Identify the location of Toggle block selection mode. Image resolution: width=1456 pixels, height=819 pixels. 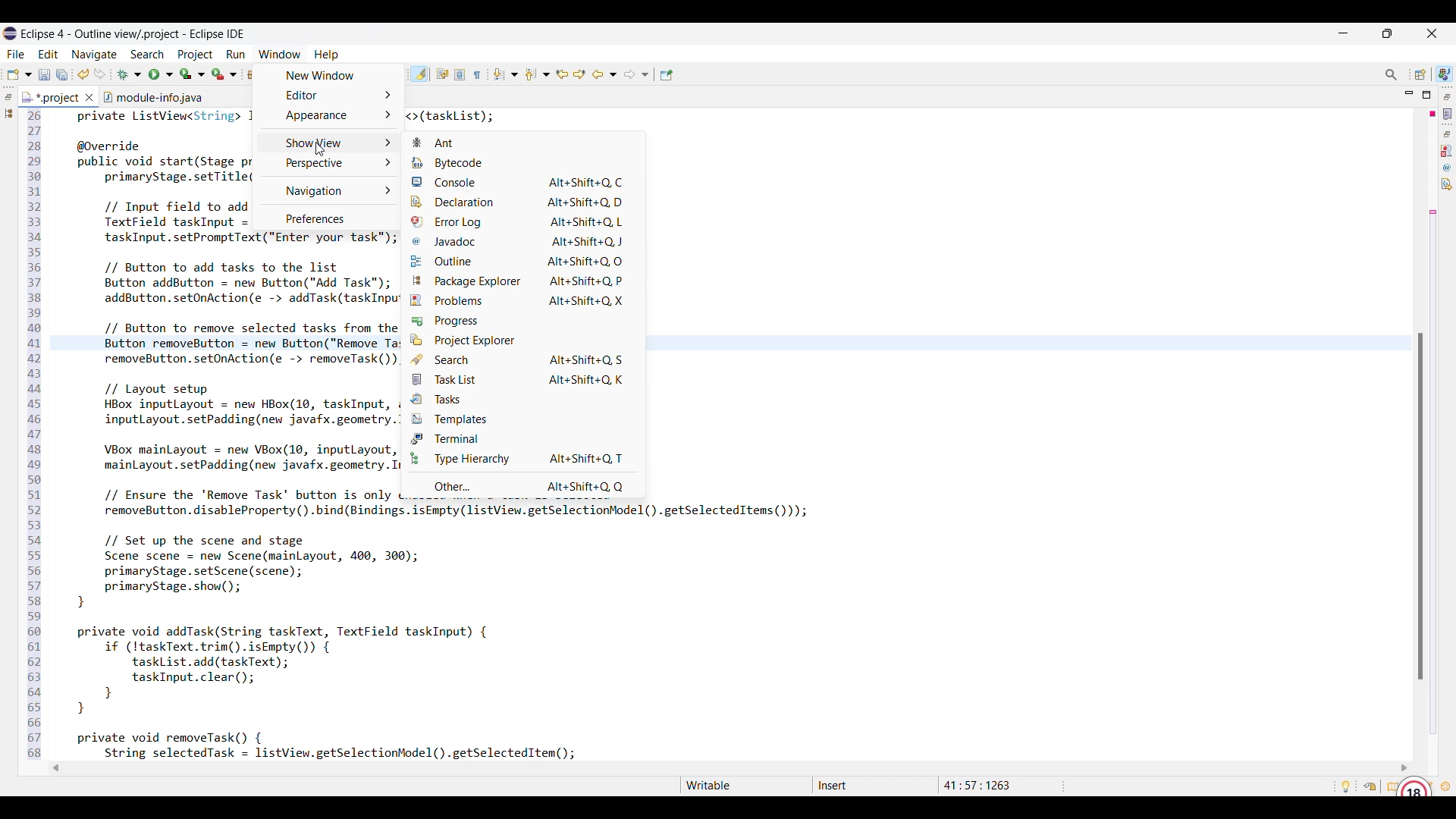
(460, 74).